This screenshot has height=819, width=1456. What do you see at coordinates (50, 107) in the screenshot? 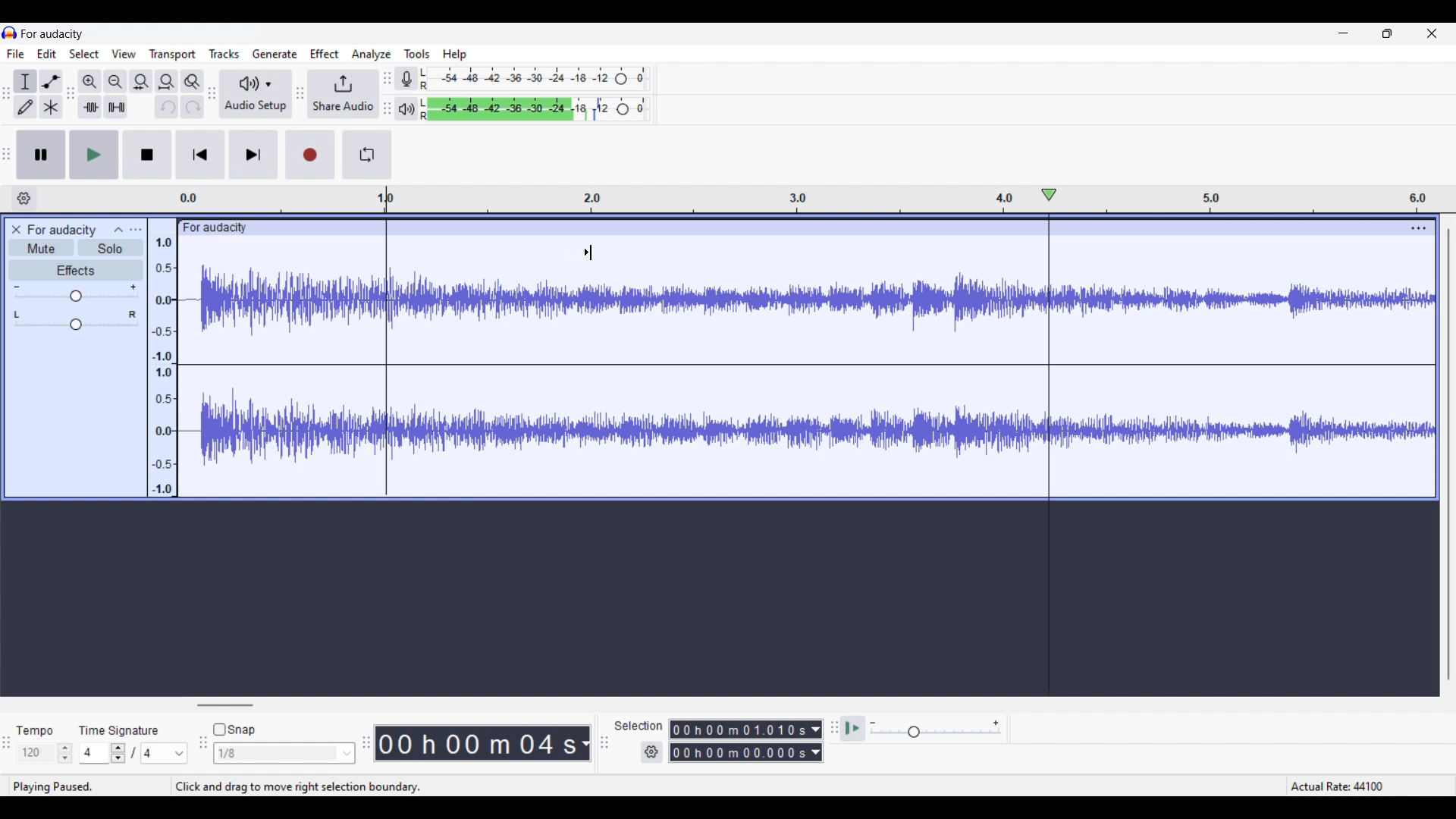
I see `Multi-tool` at bounding box center [50, 107].